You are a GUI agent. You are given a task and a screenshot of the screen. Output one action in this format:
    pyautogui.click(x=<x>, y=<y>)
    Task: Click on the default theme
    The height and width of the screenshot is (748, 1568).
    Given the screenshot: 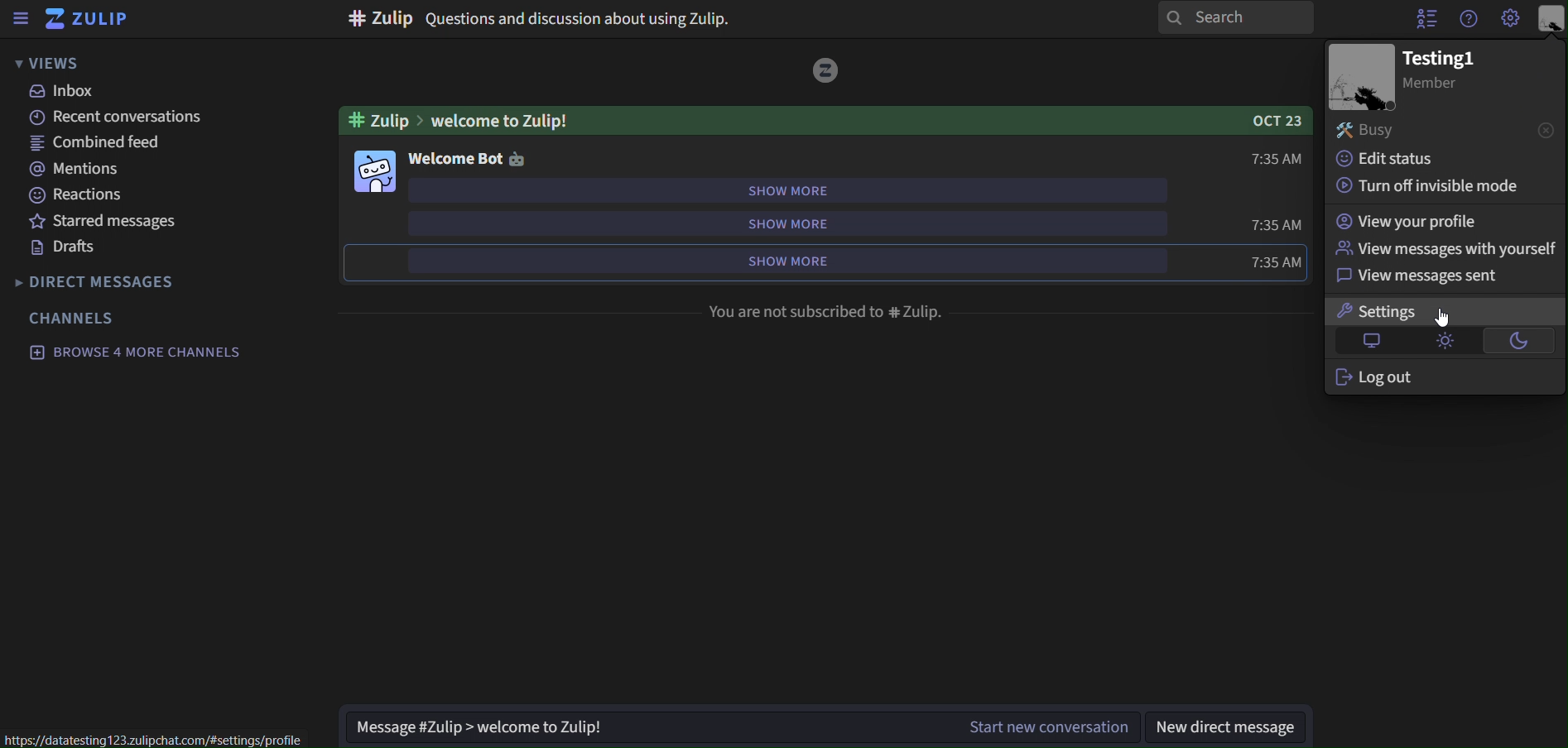 What is the action you would take?
    pyautogui.click(x=1374, y=341)
    